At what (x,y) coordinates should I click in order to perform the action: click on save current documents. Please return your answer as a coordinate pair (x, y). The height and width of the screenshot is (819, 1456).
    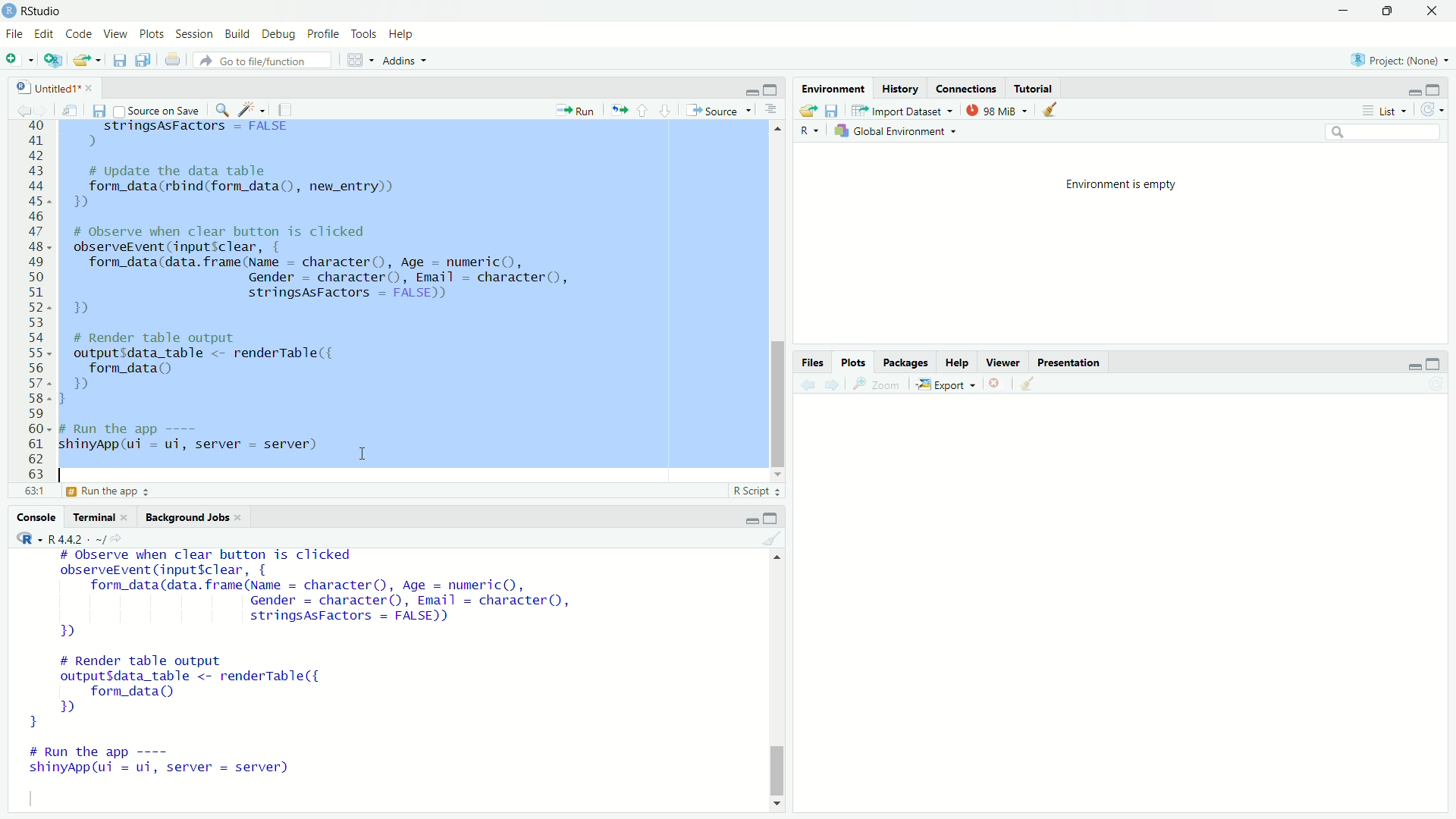
    Looking at the image, I should click on (118, 60).